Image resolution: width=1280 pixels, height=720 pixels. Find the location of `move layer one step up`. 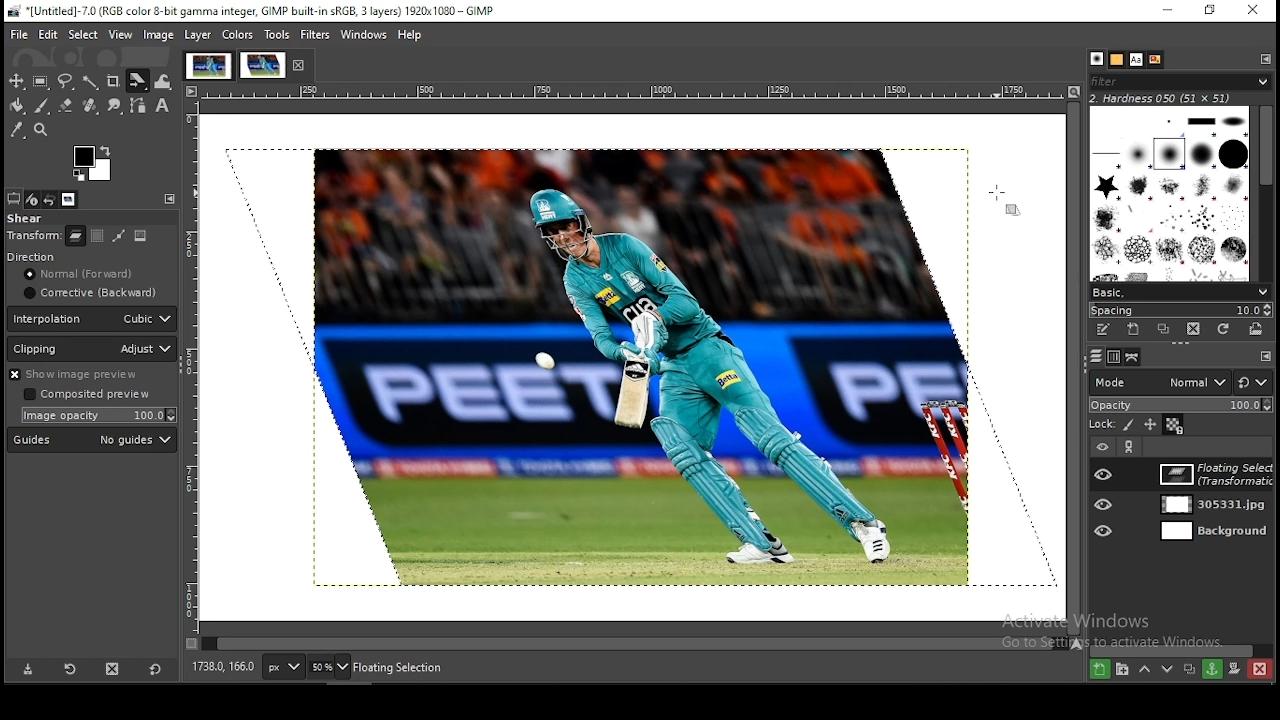

move layer one step up is located at coordinates (1143, 669).